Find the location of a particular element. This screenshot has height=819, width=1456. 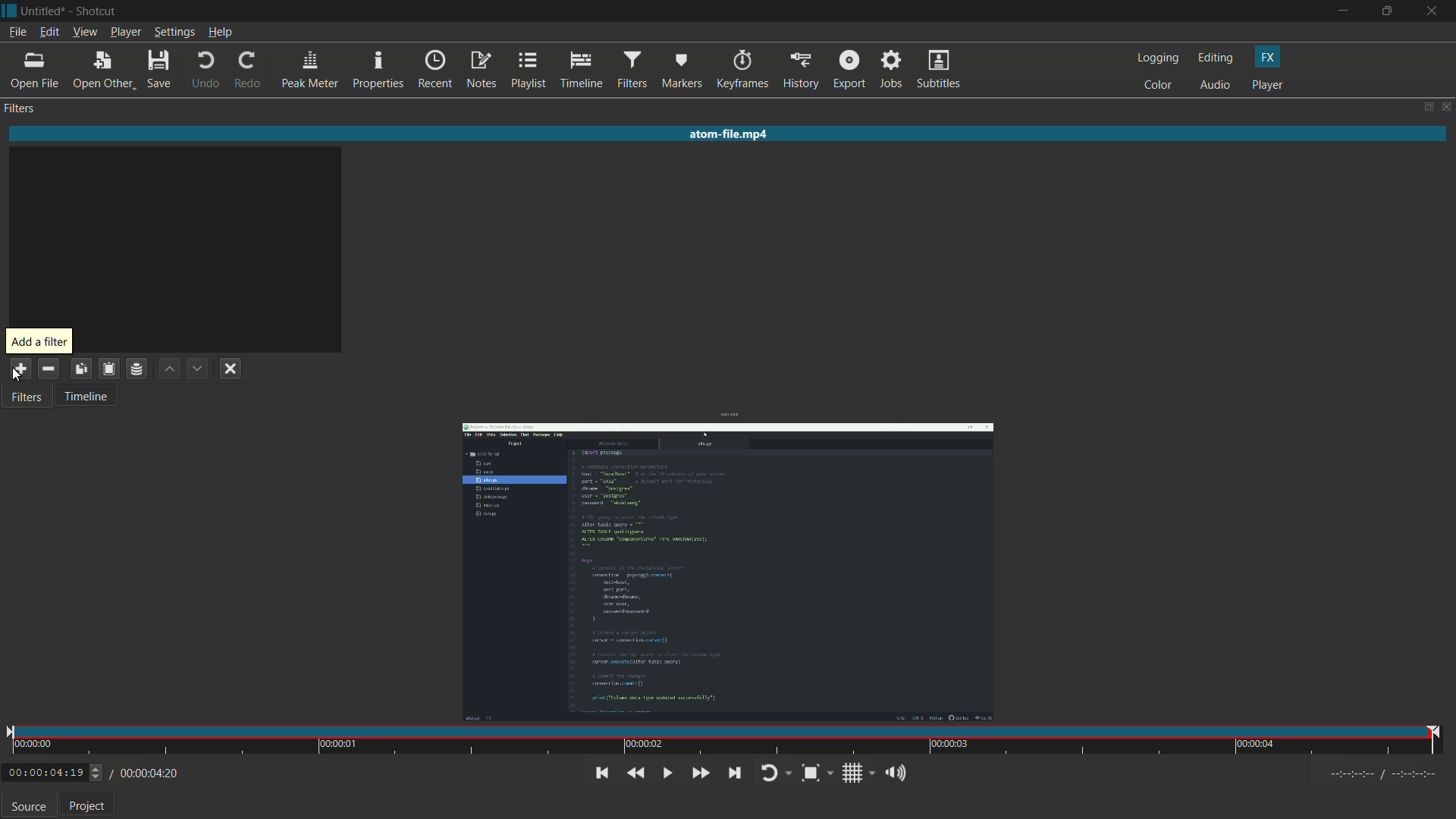

audio is located at coordinates (1216, 86).